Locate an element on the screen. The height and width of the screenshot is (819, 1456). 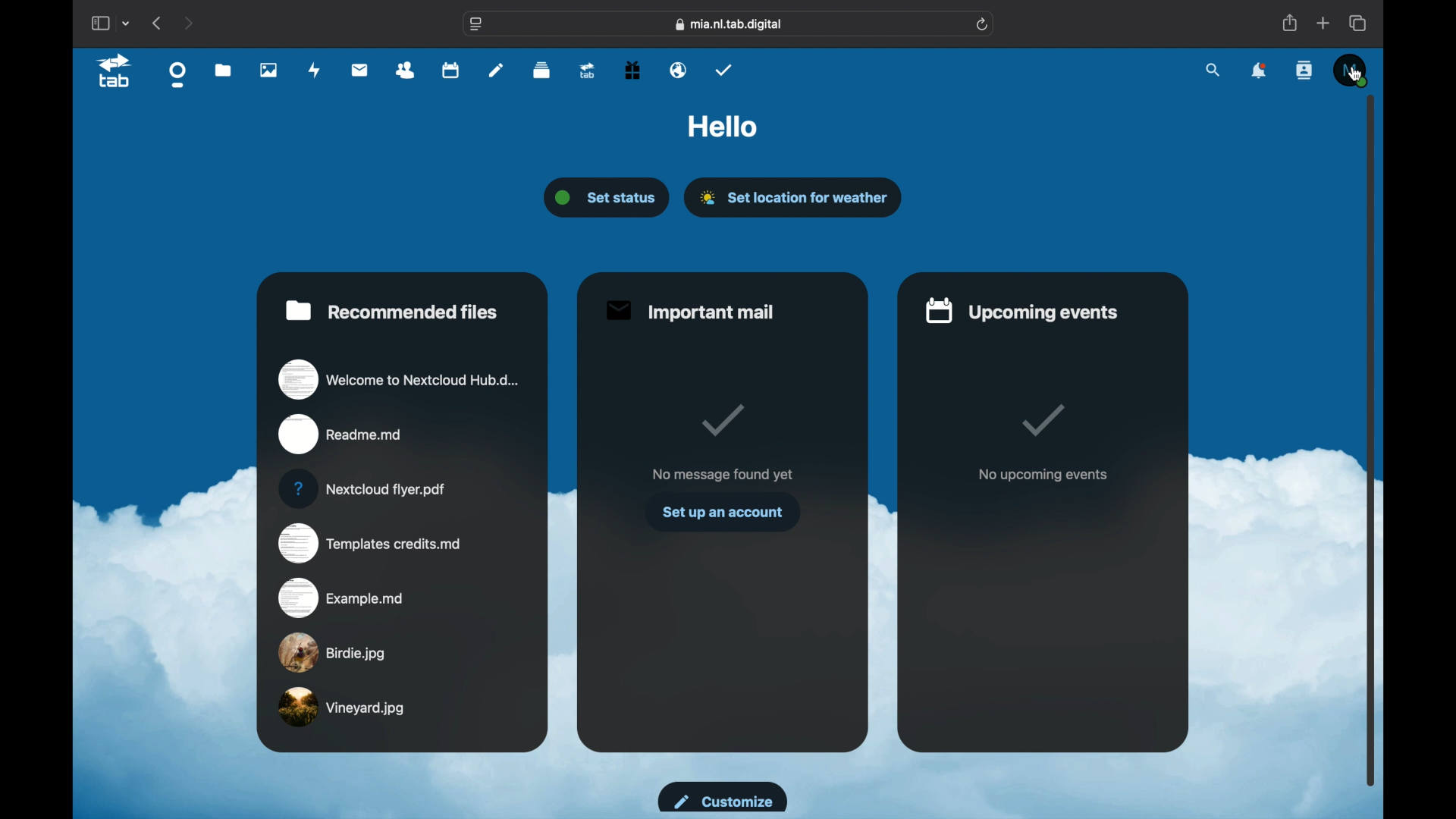
website settings is located at coordinates (476, 25).